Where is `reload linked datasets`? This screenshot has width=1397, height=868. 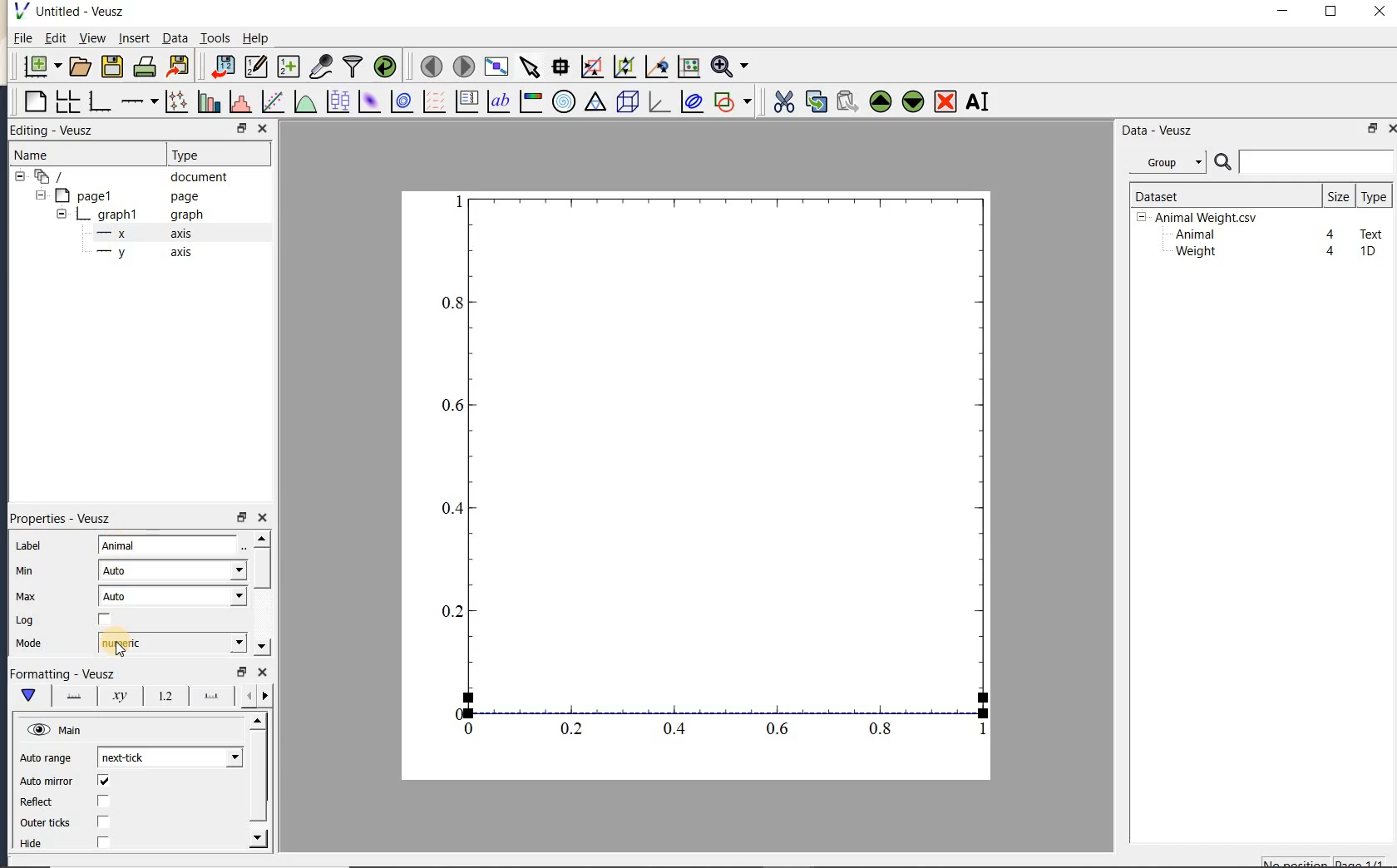 reload linked datasets is located at coordinates (385, 65).